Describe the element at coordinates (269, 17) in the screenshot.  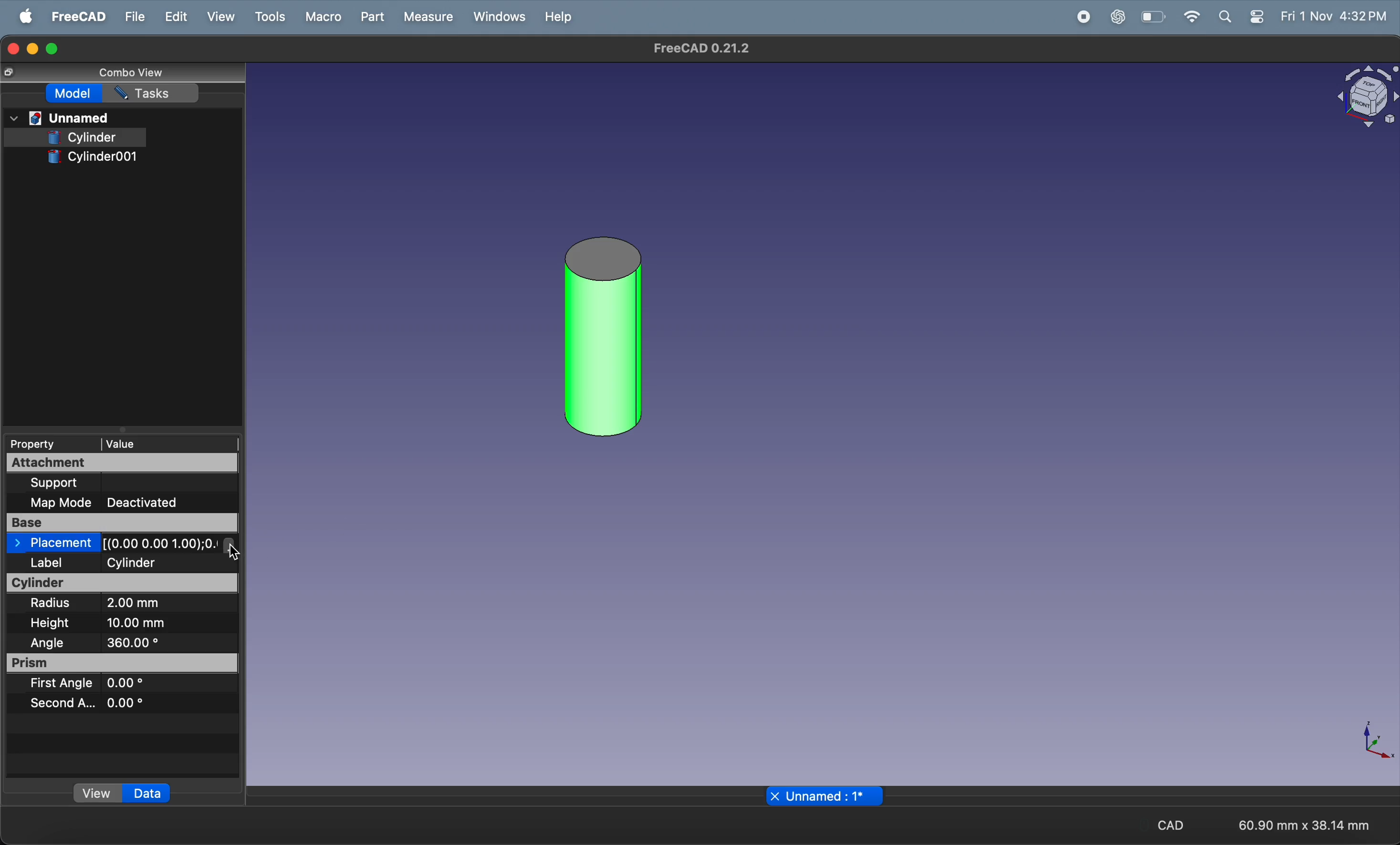
I see `tools` at that location.